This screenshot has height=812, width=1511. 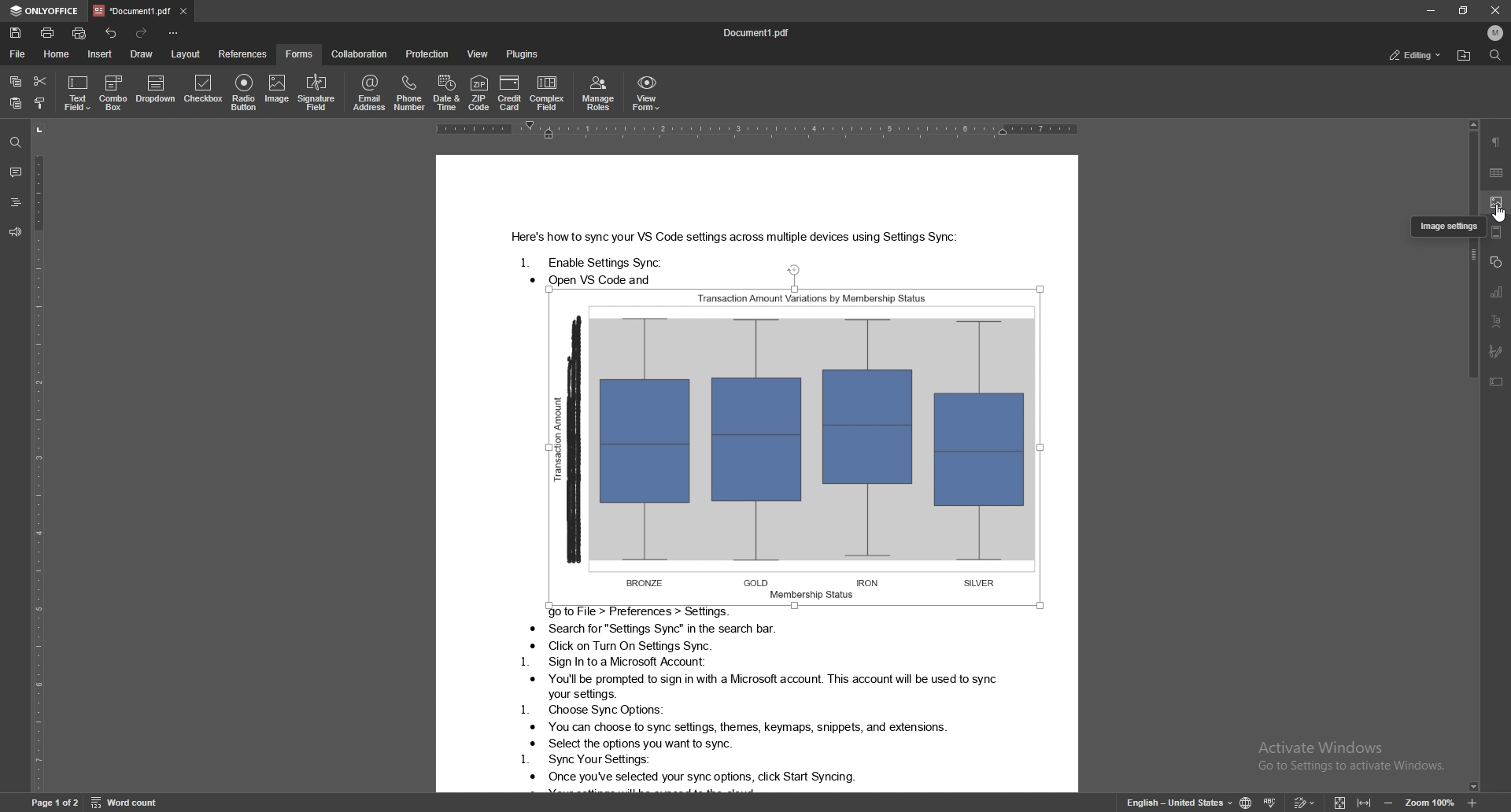 I want to click on collaboration, so click(x=359, y=54).